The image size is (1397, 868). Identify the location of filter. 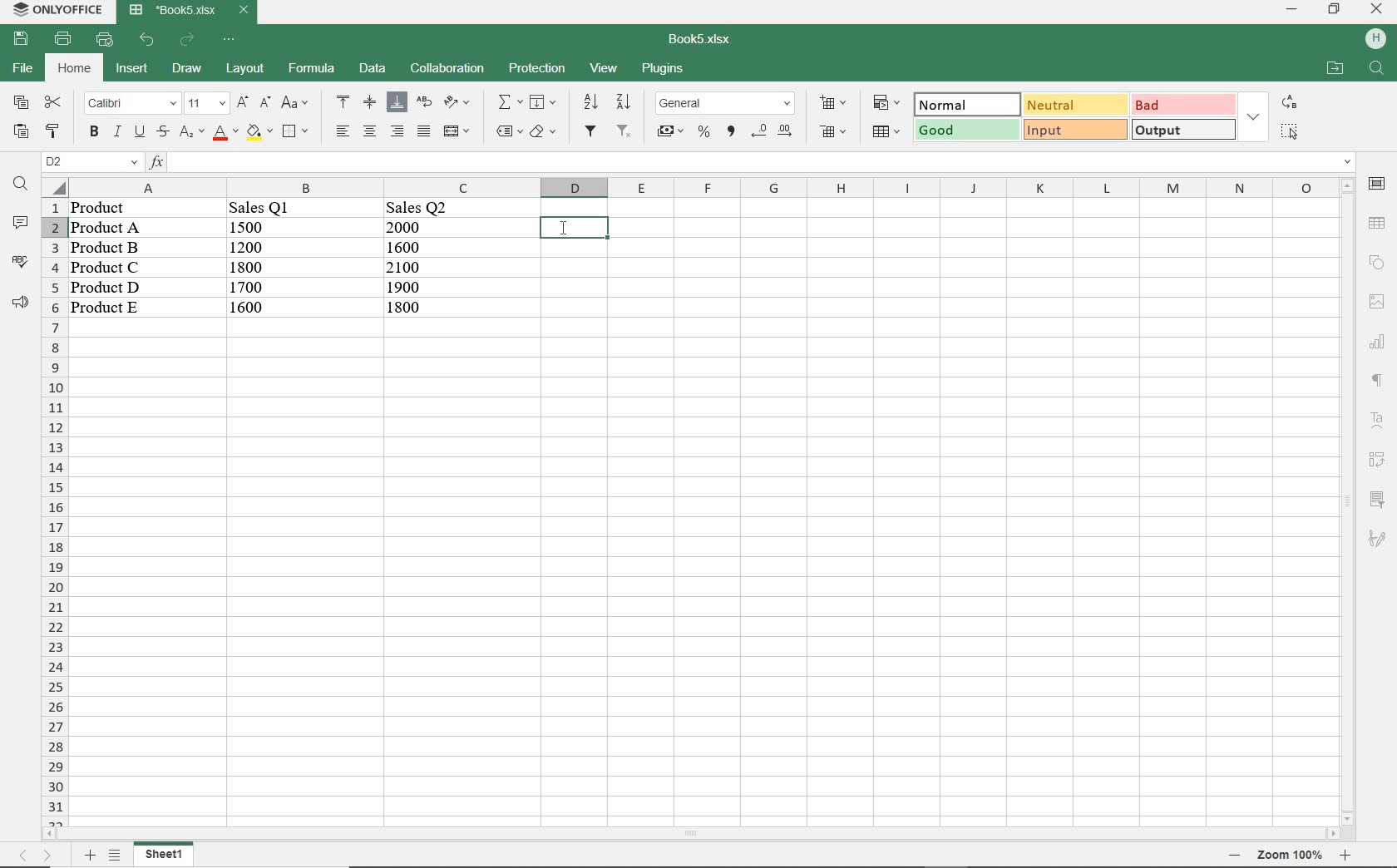
(594, 131).